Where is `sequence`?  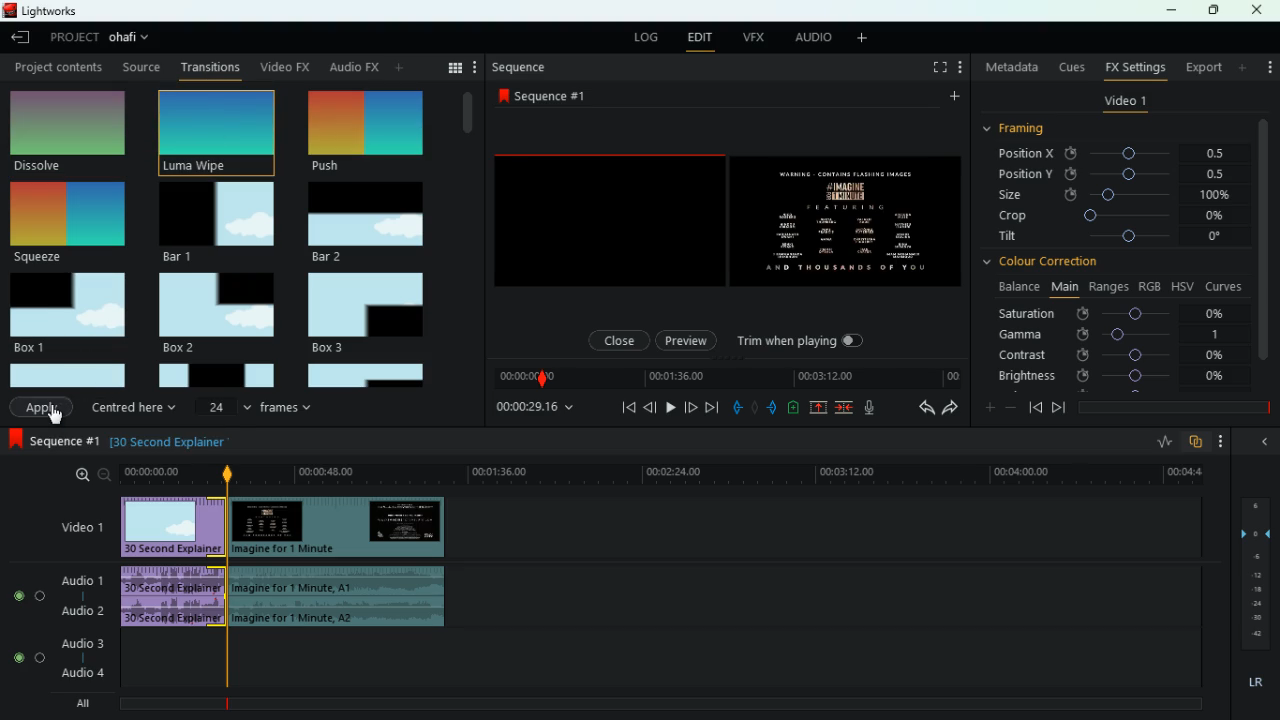
sequence is located at coordinates (55, 442).